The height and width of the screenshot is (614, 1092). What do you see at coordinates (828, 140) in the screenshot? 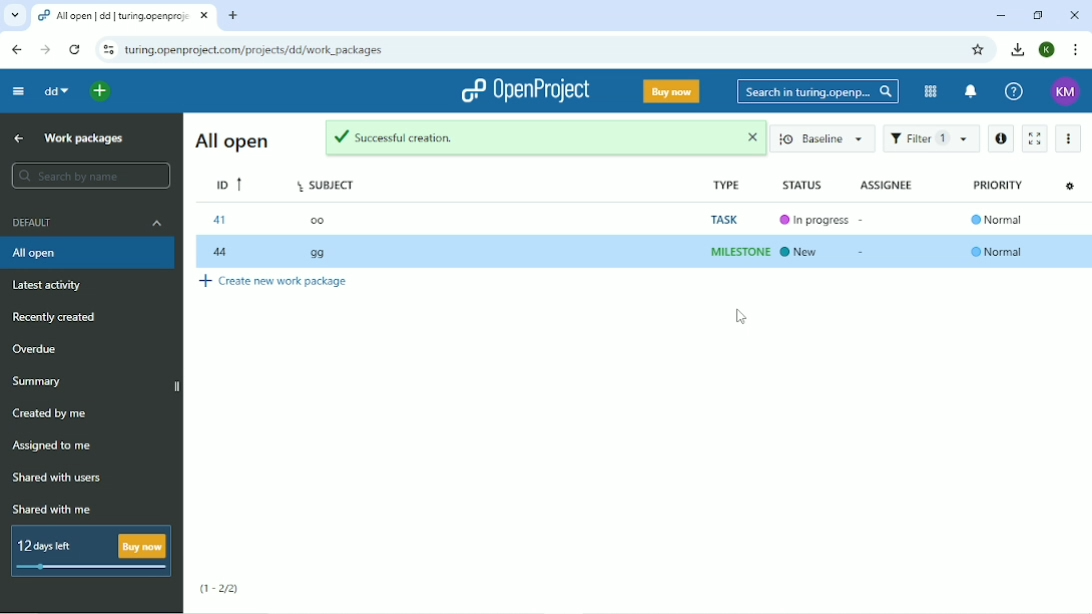
I see `Baseline` at bounding box center [828, 140].